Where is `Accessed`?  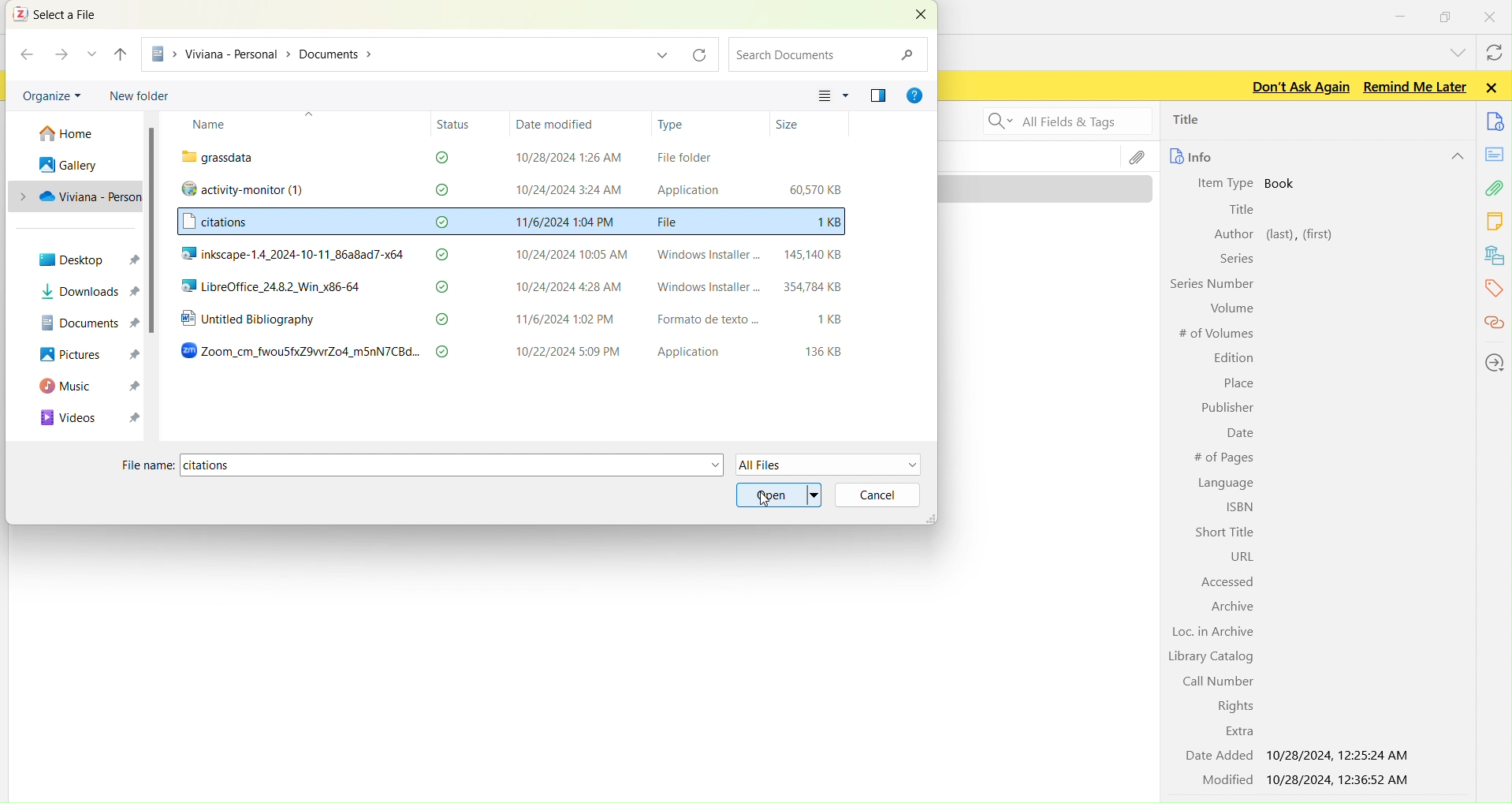 Accessed is located at coordinates (1229, 581).